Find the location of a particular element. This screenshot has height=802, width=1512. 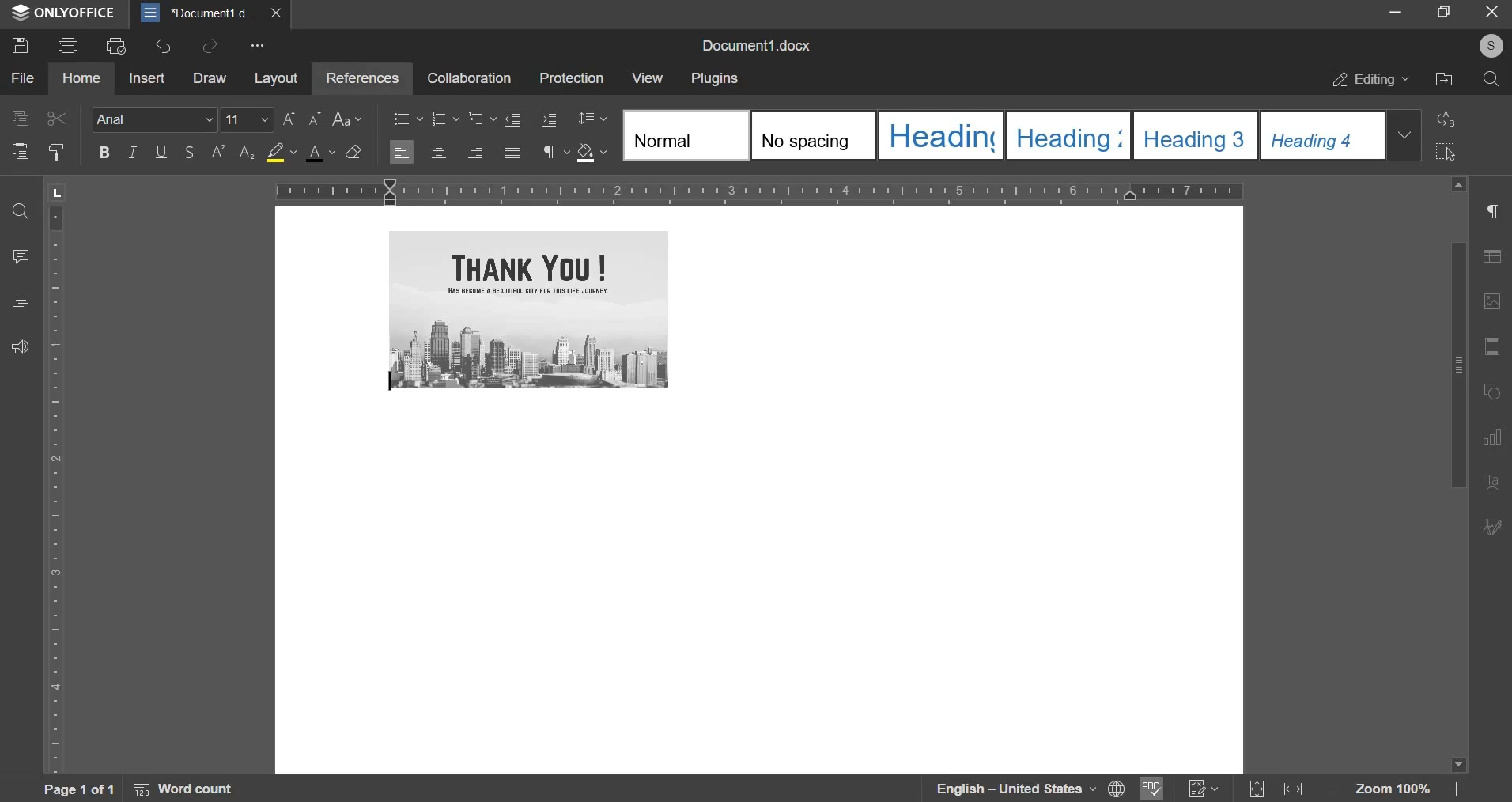

Spell Checking is located at coordinates (1149, 789).